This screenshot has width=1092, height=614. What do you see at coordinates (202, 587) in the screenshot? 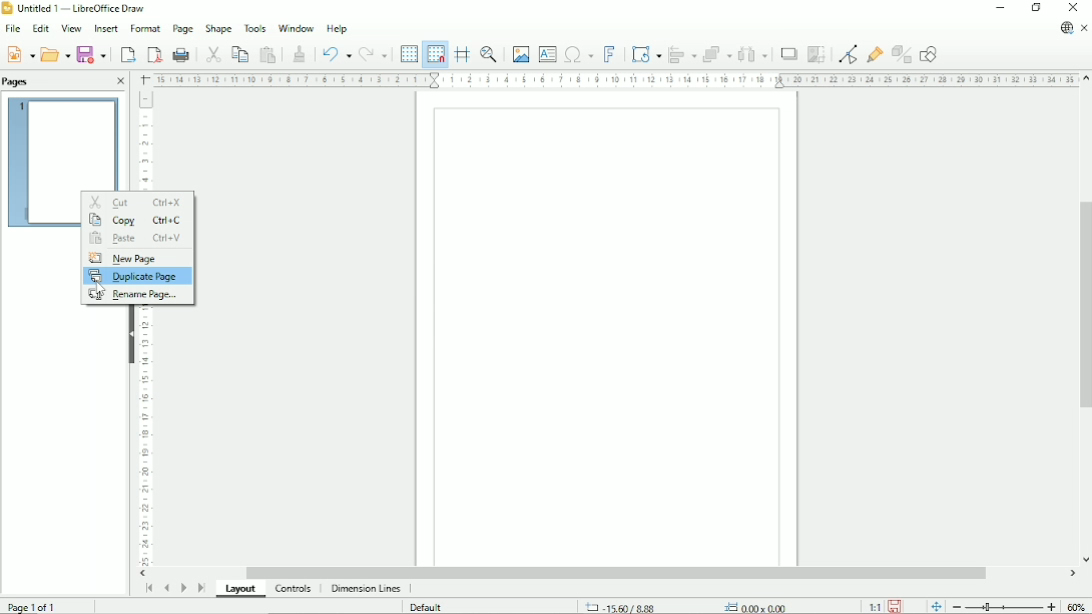
I see `Scroll to last page` at bounding box center [202, 587].